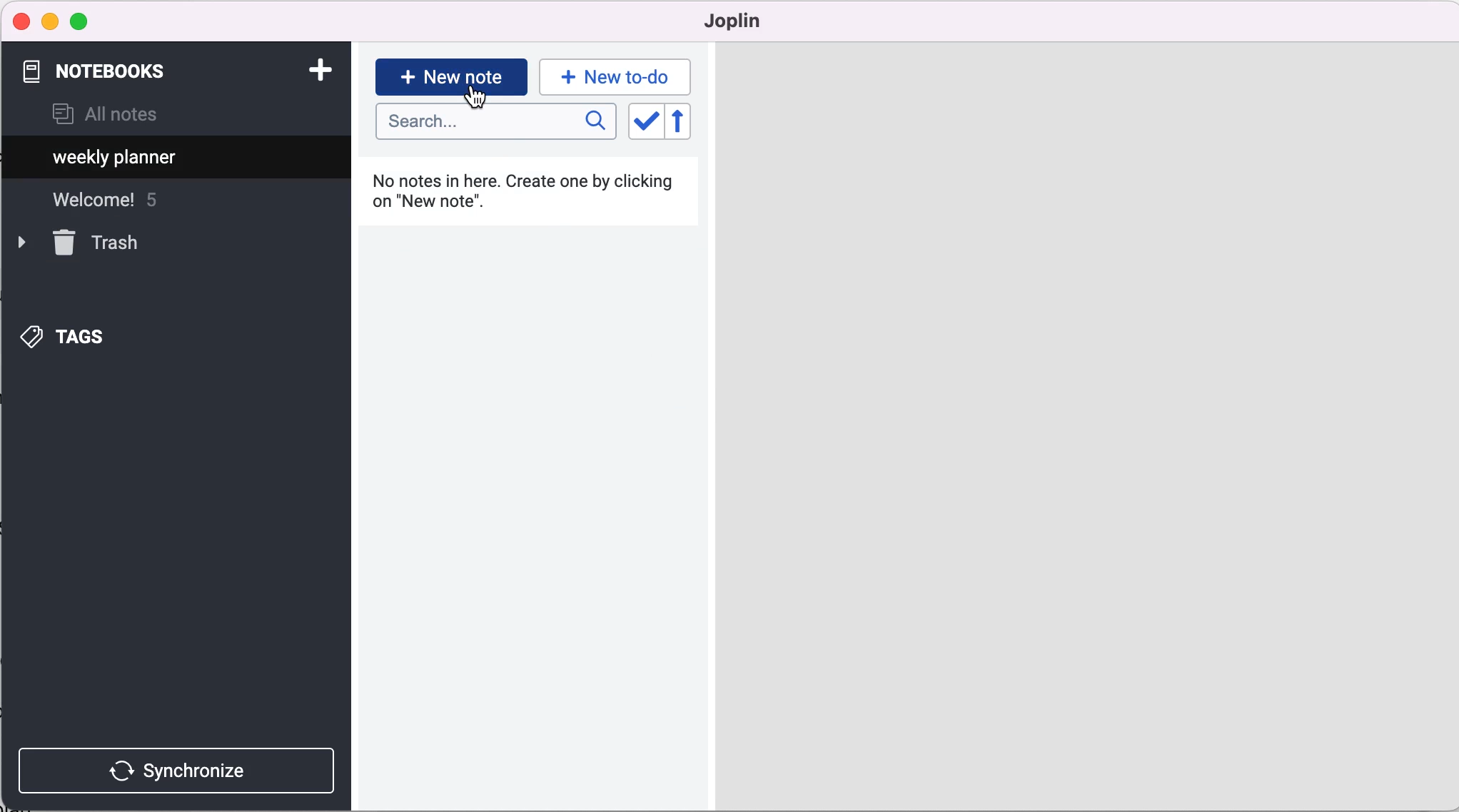 This screenshot has width=1459, height=812. Describe the element at coordinates (612, 76) in the screenshot. I see `new to-do` at that location.